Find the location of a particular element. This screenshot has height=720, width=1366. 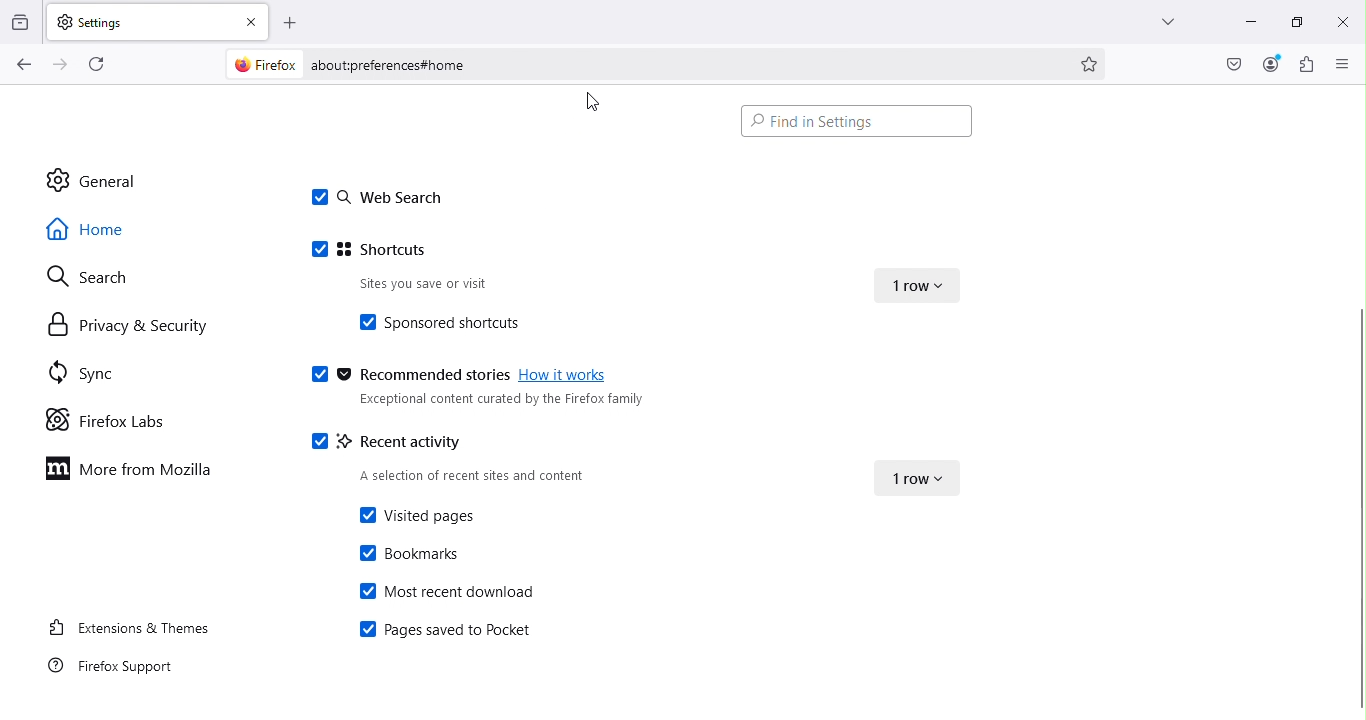

List all tabs is located at coordinates (1156, 18).